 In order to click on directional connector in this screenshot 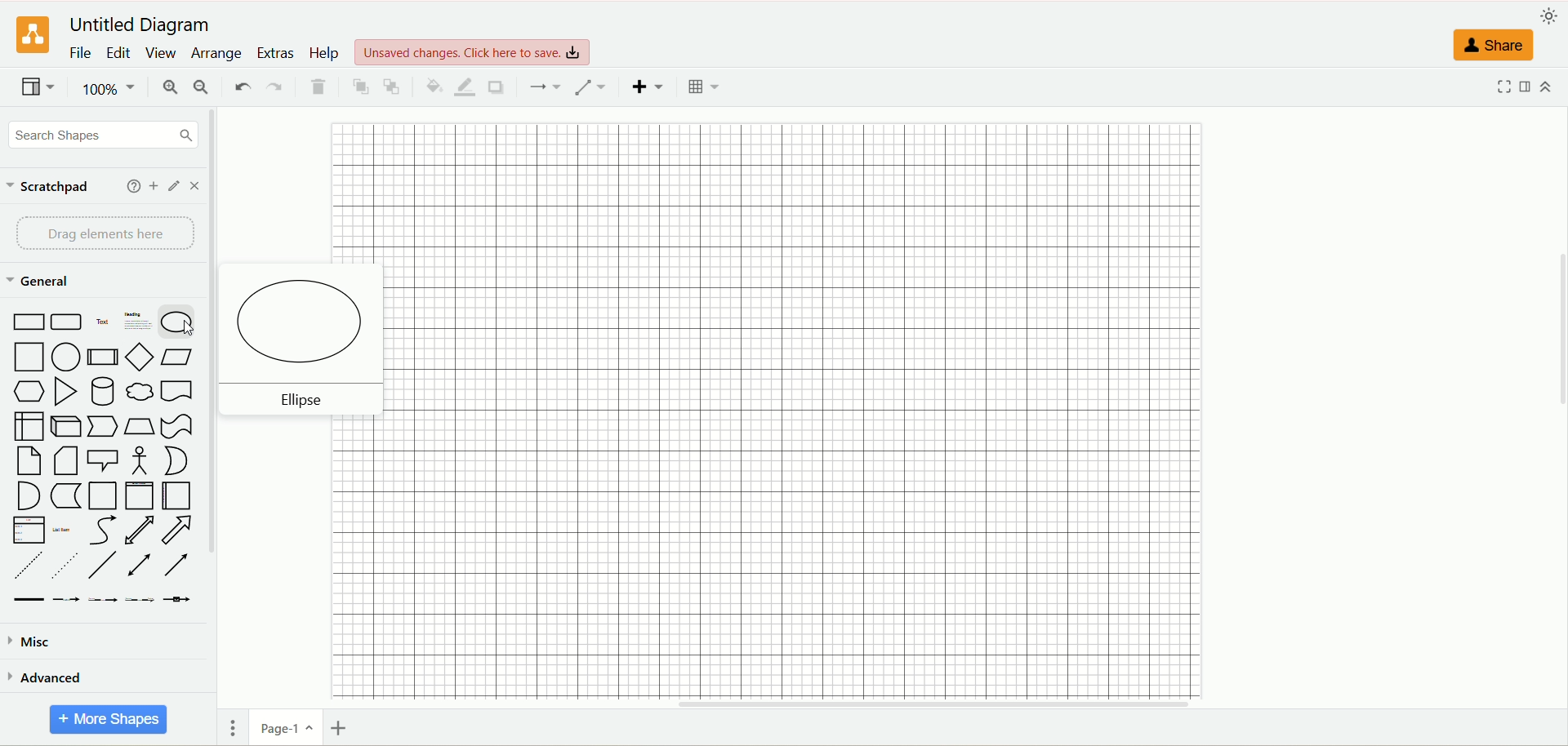, I will do `click(176, 566)`.